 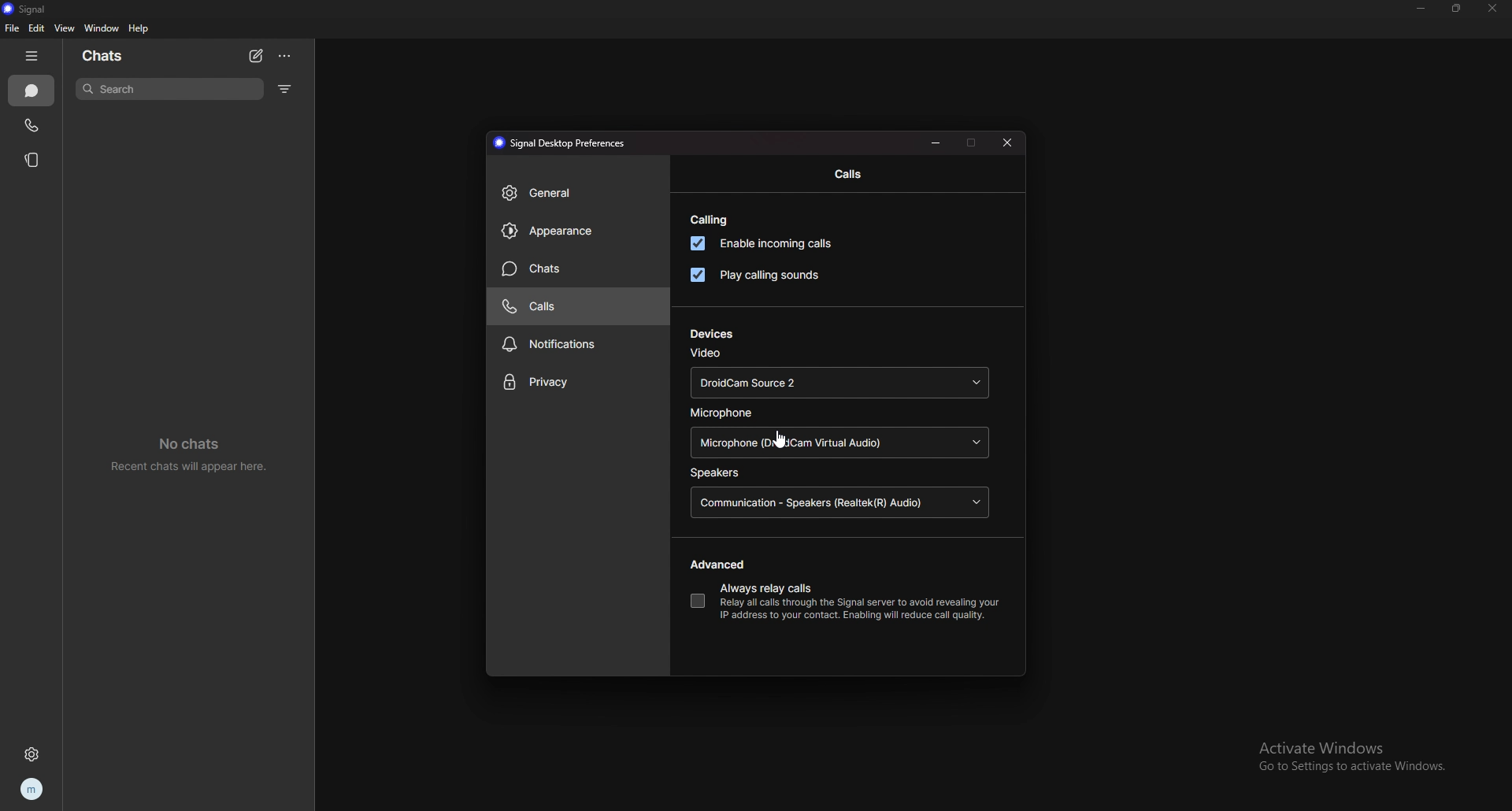 I want to click on edit, so click(x=36, y=29).